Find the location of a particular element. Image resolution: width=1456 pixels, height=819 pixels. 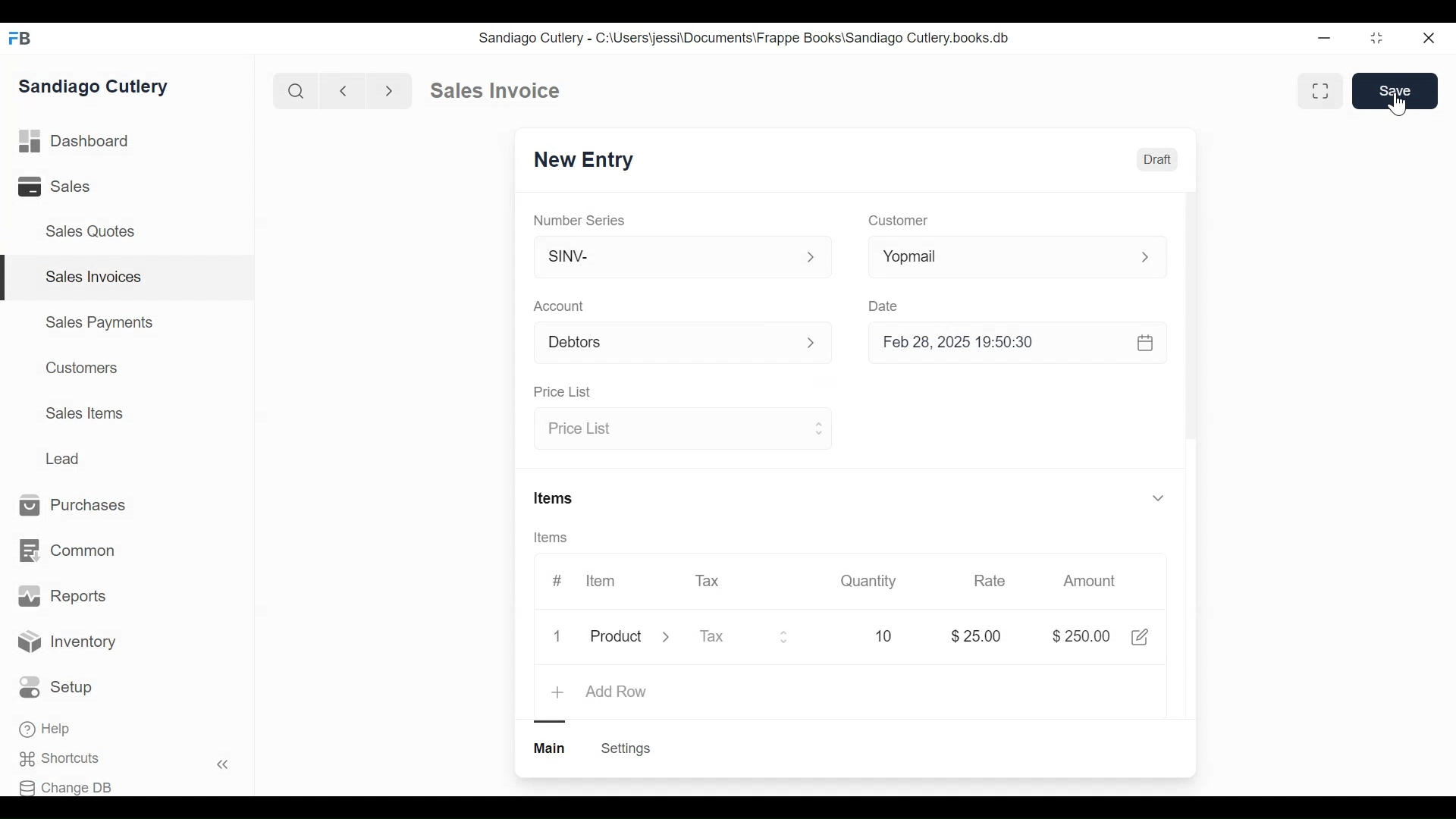

main is located at coordinates (551, 748).